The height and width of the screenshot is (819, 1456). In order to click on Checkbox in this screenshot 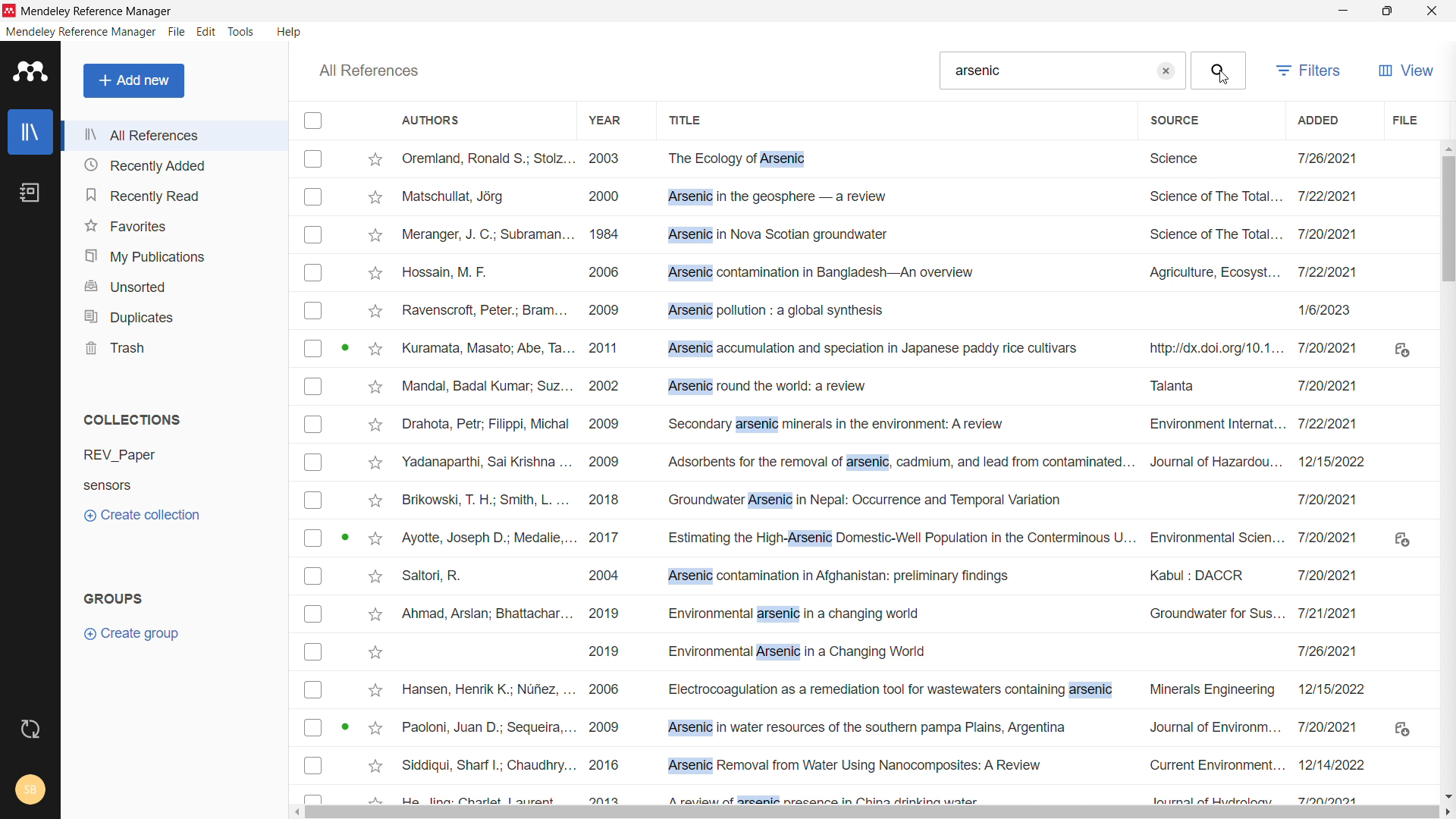, I will do `click(314, 500)`.